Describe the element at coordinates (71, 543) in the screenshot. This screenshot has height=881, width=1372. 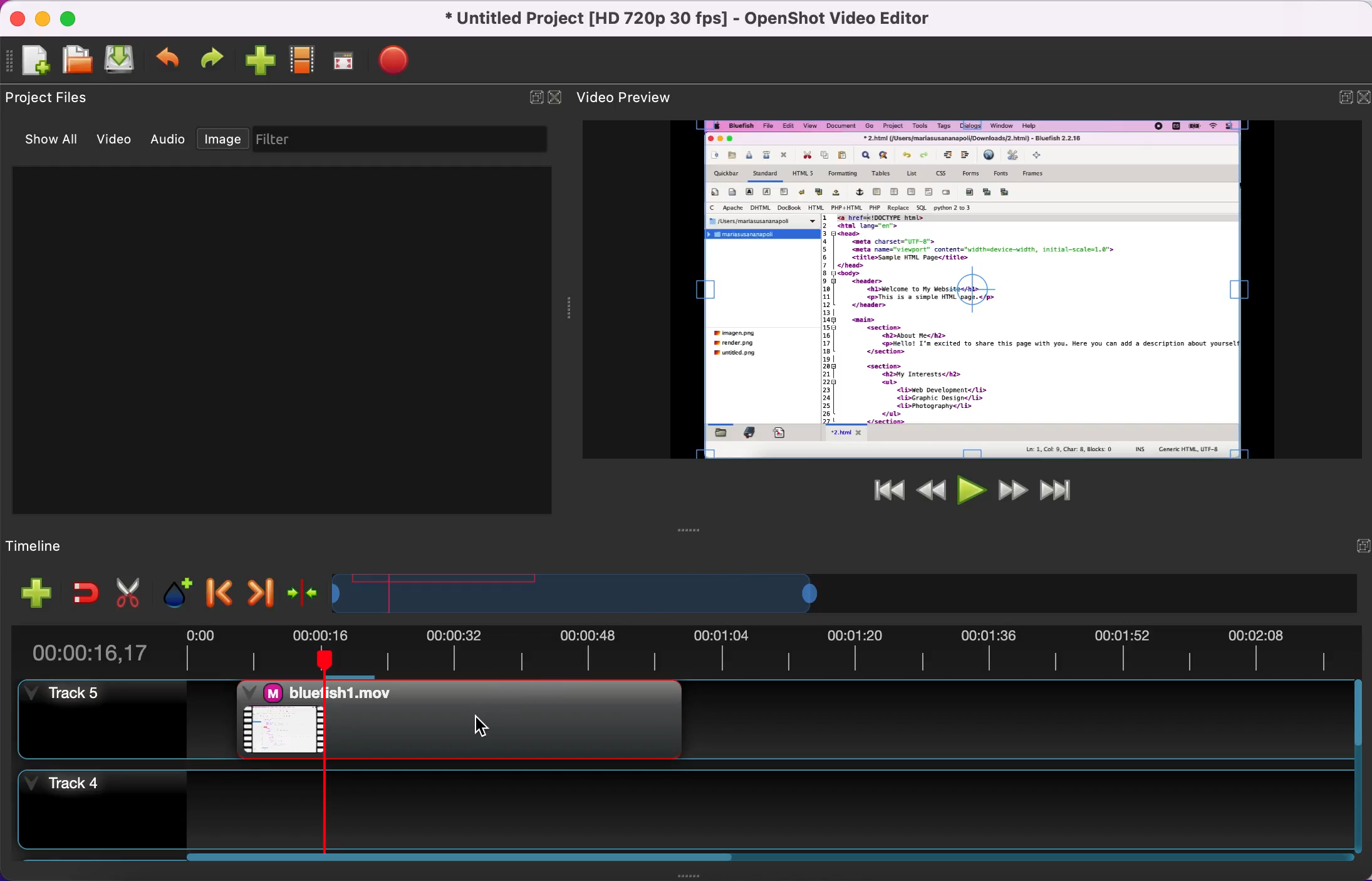
I see `timeline` at that location.